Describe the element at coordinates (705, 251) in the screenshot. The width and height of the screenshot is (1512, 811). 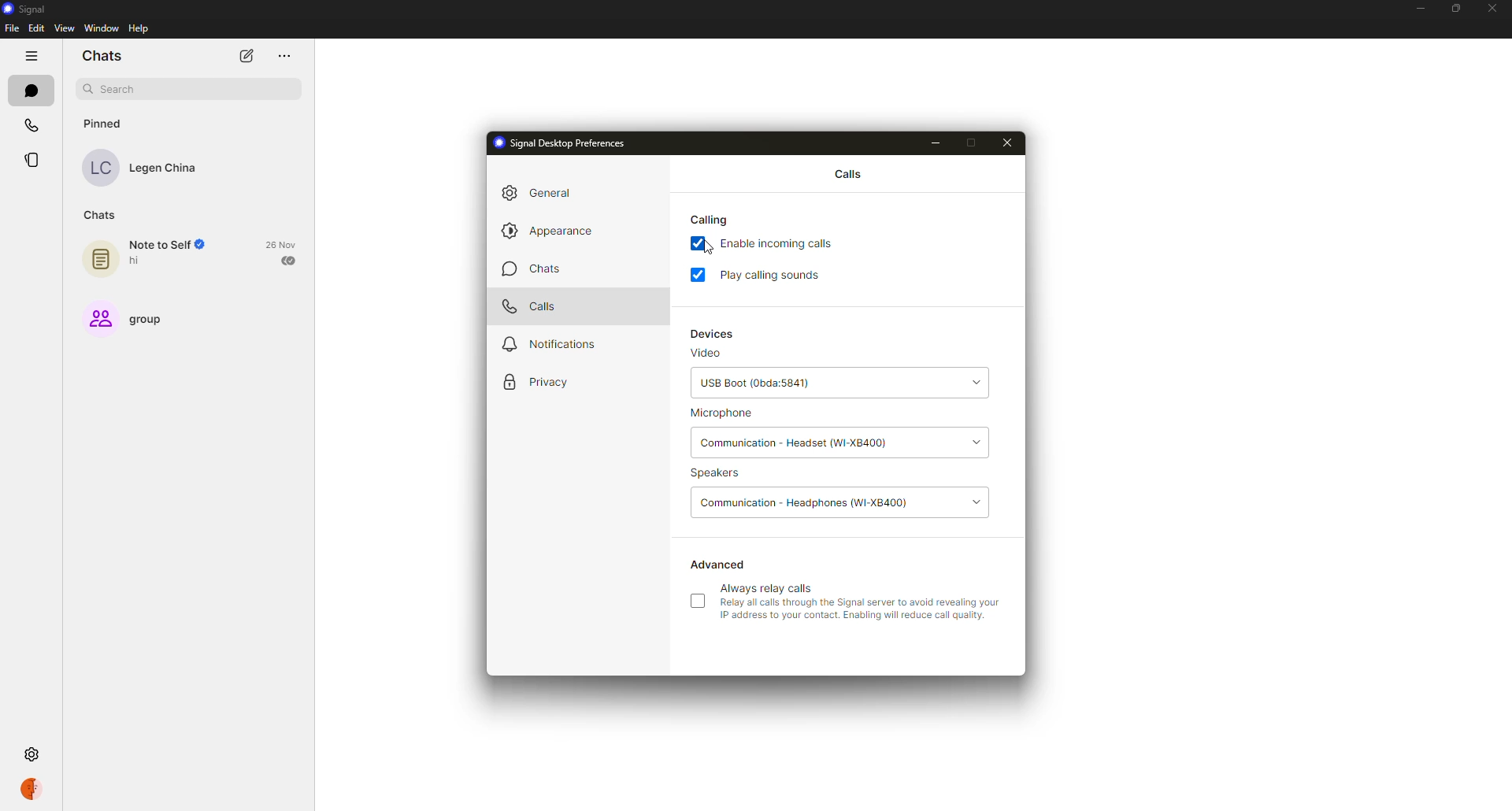
I see `cursor` at that location.